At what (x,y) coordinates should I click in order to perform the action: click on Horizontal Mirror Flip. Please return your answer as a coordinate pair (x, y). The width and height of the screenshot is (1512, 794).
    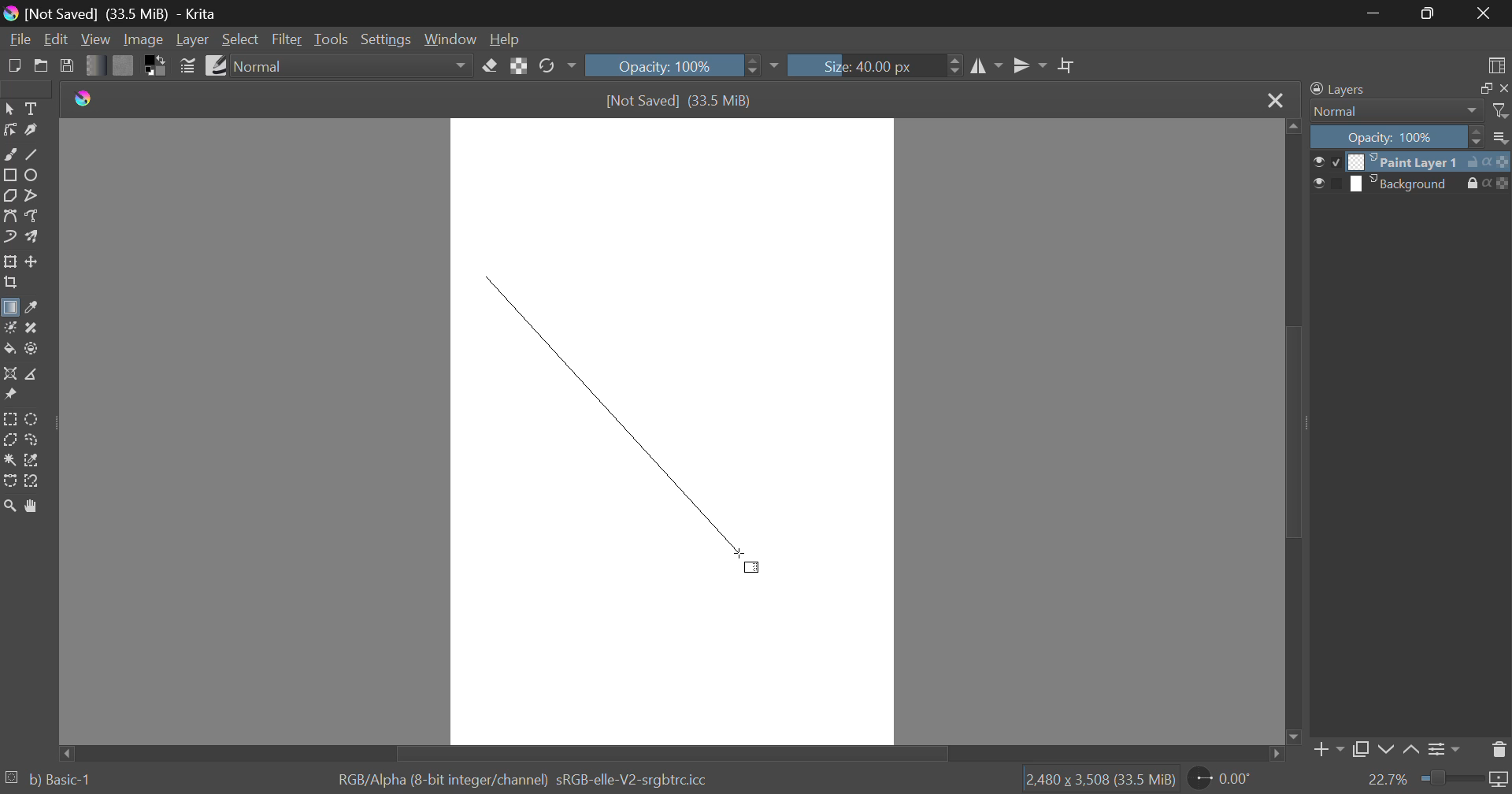
    Looking at the image, I should click on (1026, 68).